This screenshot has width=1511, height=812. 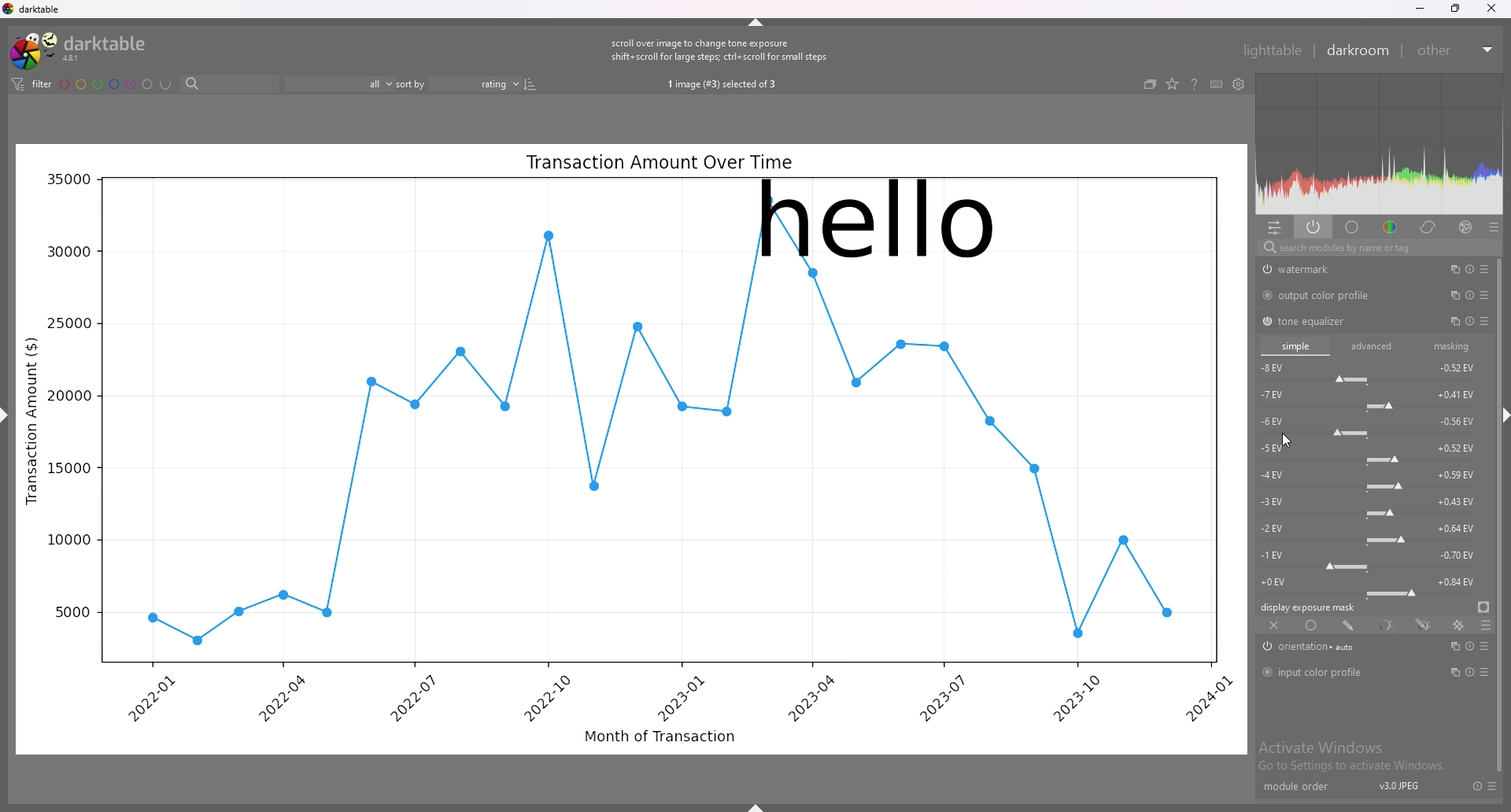 I want to click on scroll over image to change tone exposure shift+scroll for large steps; ctrl+ scroll for small steps., so click(x=721, y=50).